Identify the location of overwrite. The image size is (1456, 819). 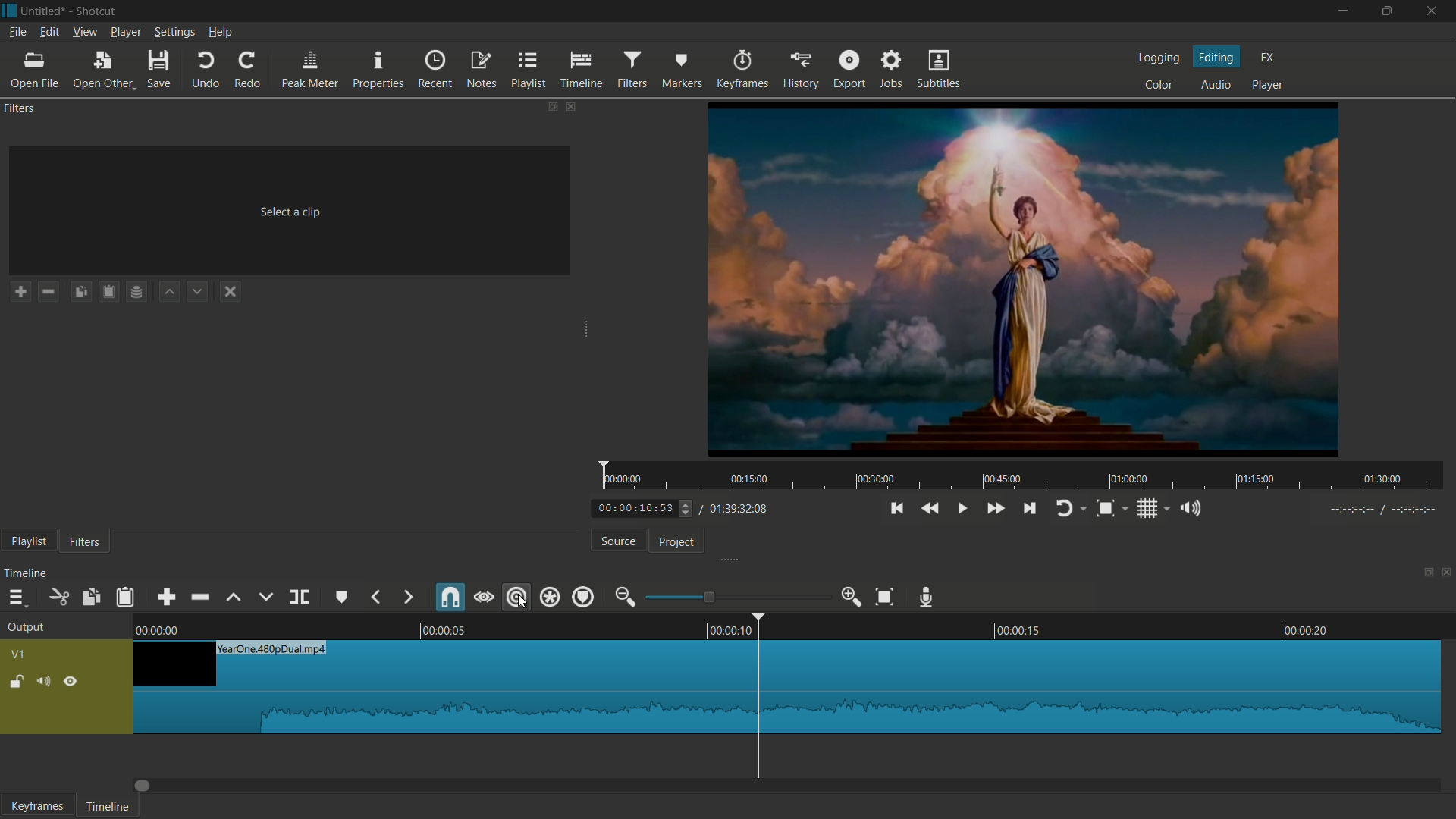
(265, 598).